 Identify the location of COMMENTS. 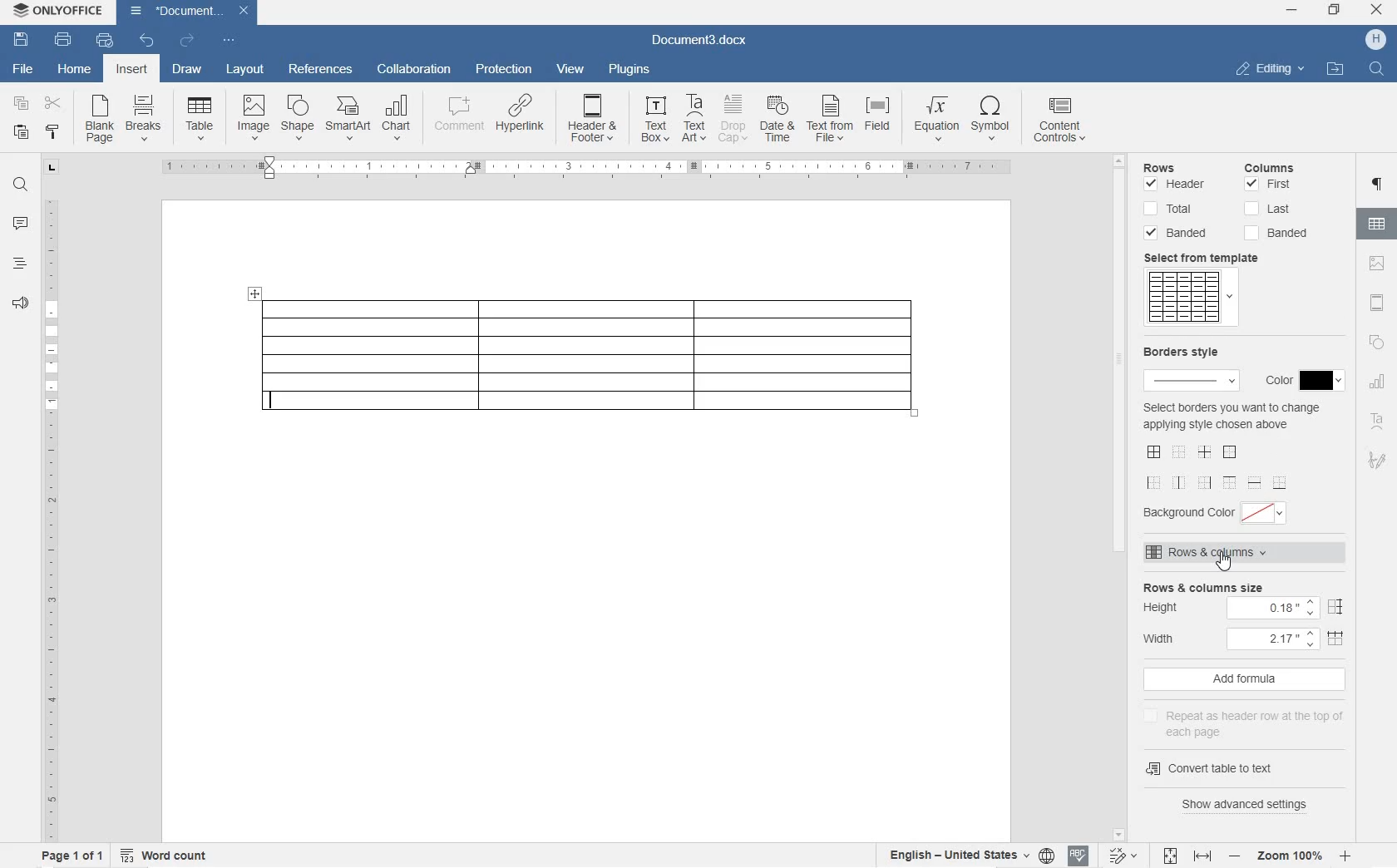
(22, 224).